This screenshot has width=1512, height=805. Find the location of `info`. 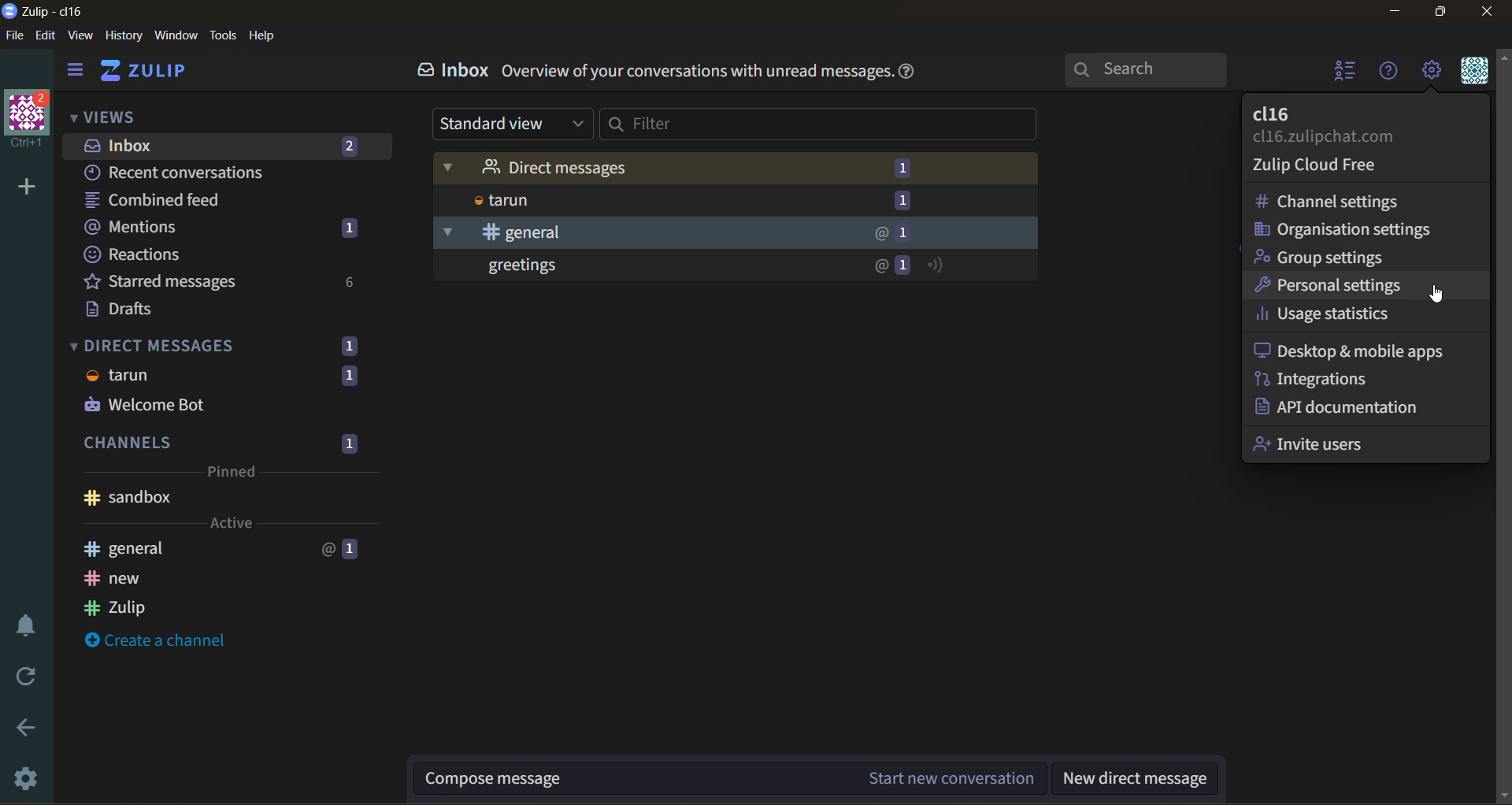

info is located at coordinates (711, 72).